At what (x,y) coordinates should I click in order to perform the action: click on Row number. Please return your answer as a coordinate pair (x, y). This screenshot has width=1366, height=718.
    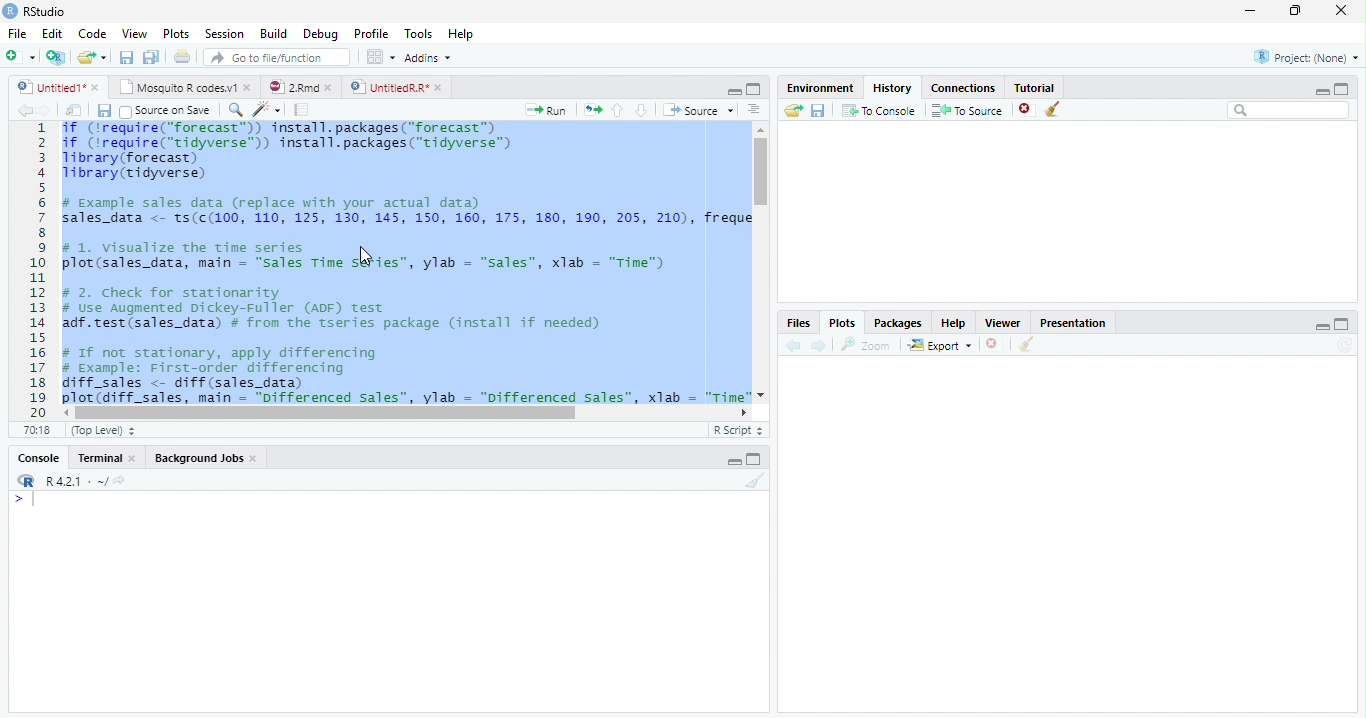
    Looking at the image, I should click on (32, 269).